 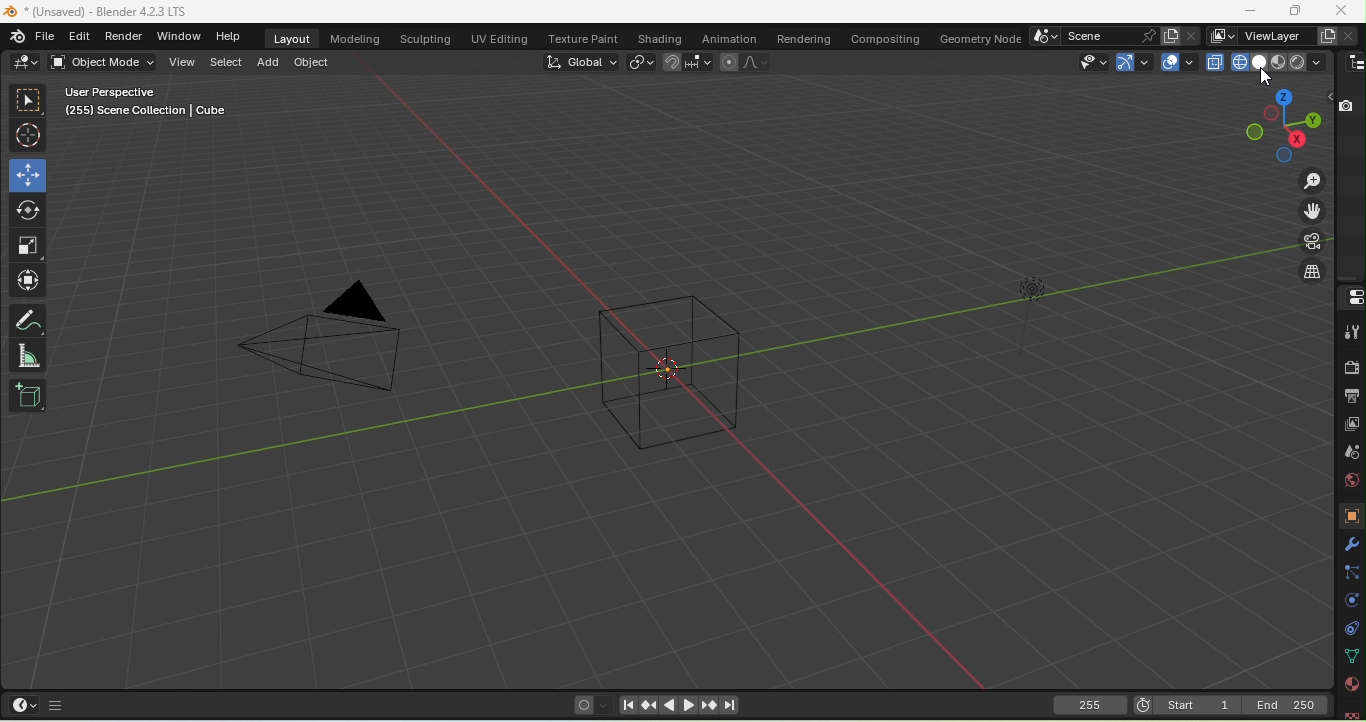 What do you see at coordinates (1354, 426) in the screenshot?
I see `View layer` at bounding box center [1354, 426].